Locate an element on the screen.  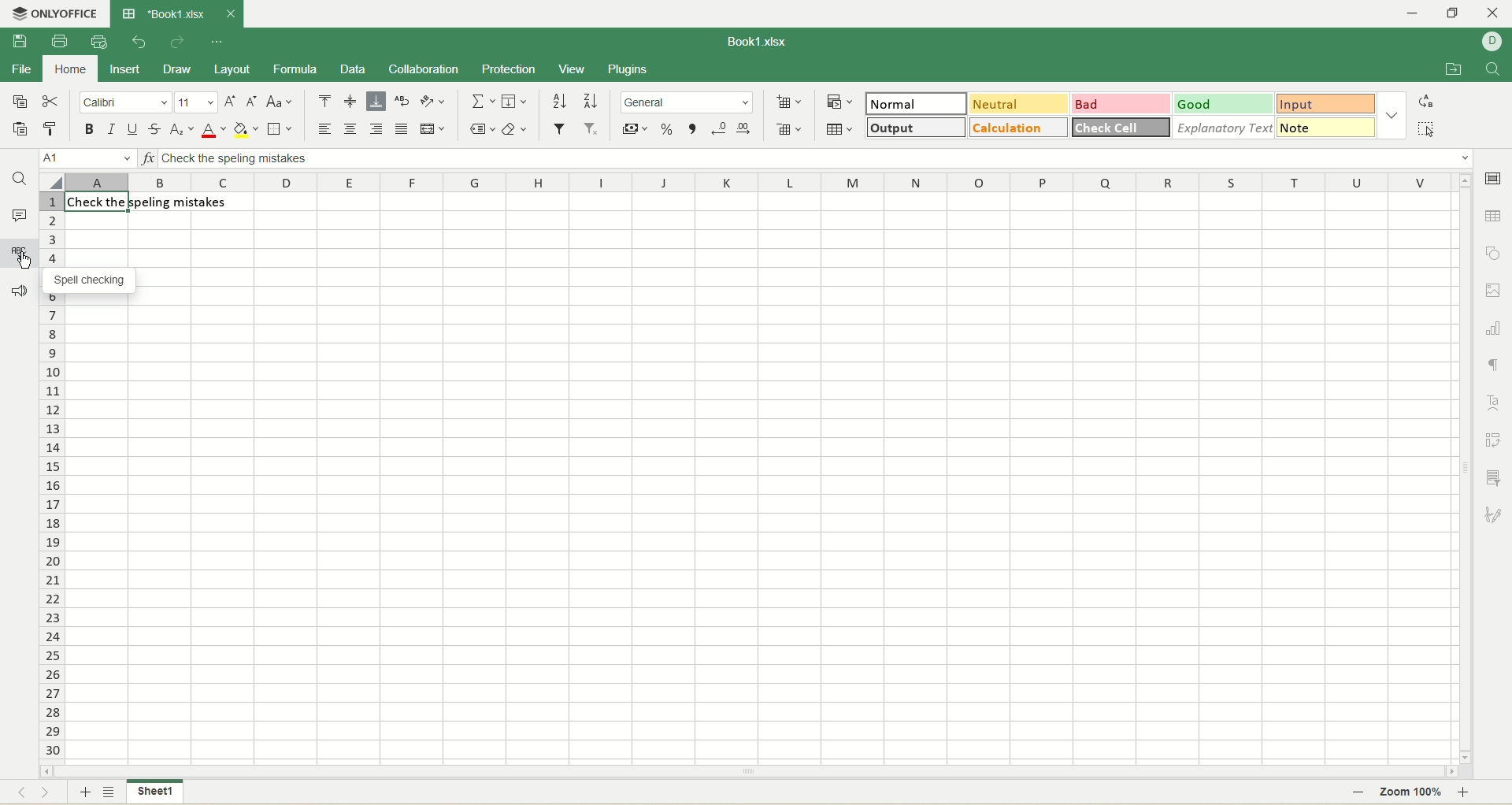
save is located at coordinates (21, 41).